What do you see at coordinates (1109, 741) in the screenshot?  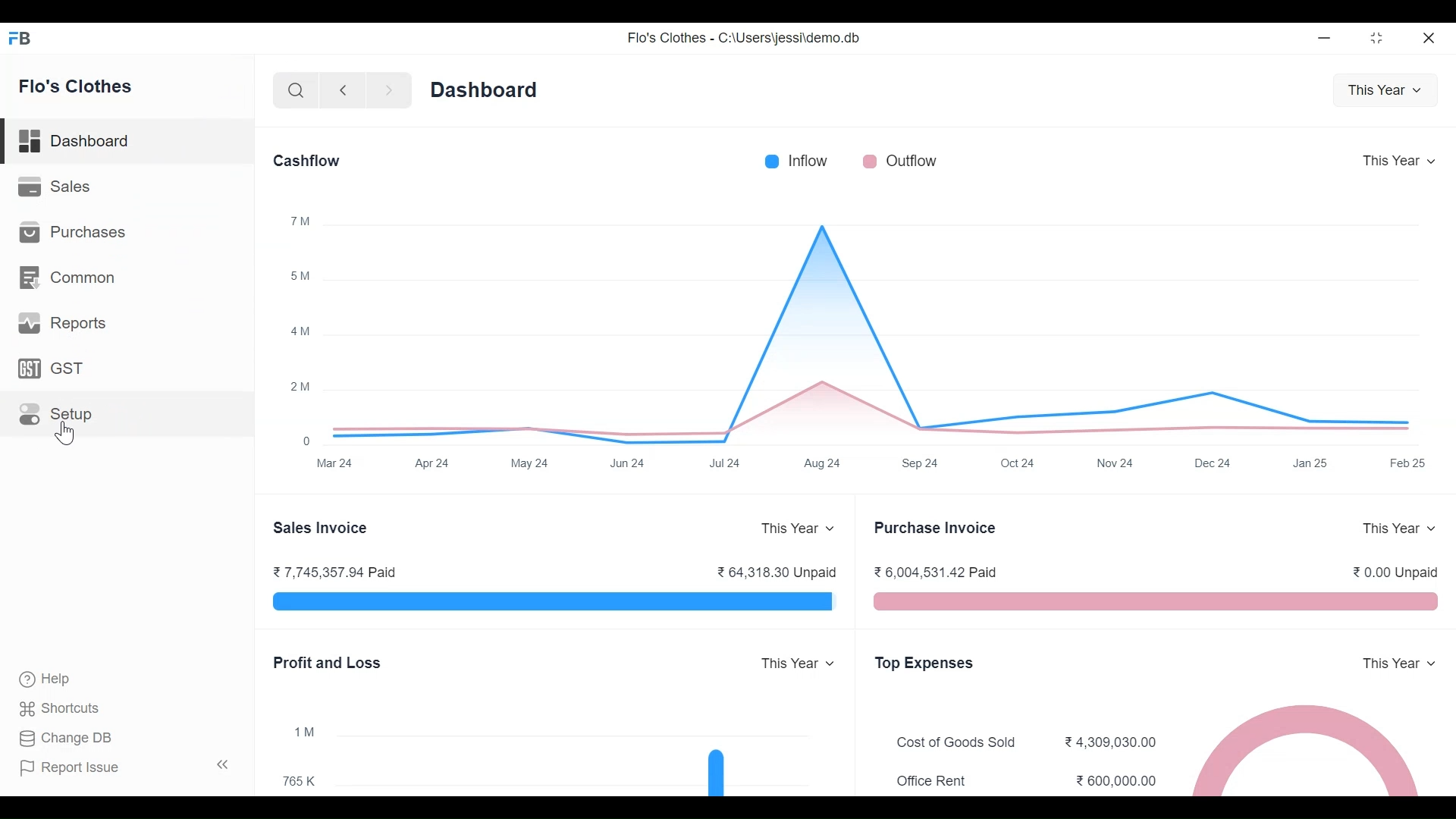 I see `4,309,030.00` at bounding box center [1109, 741].